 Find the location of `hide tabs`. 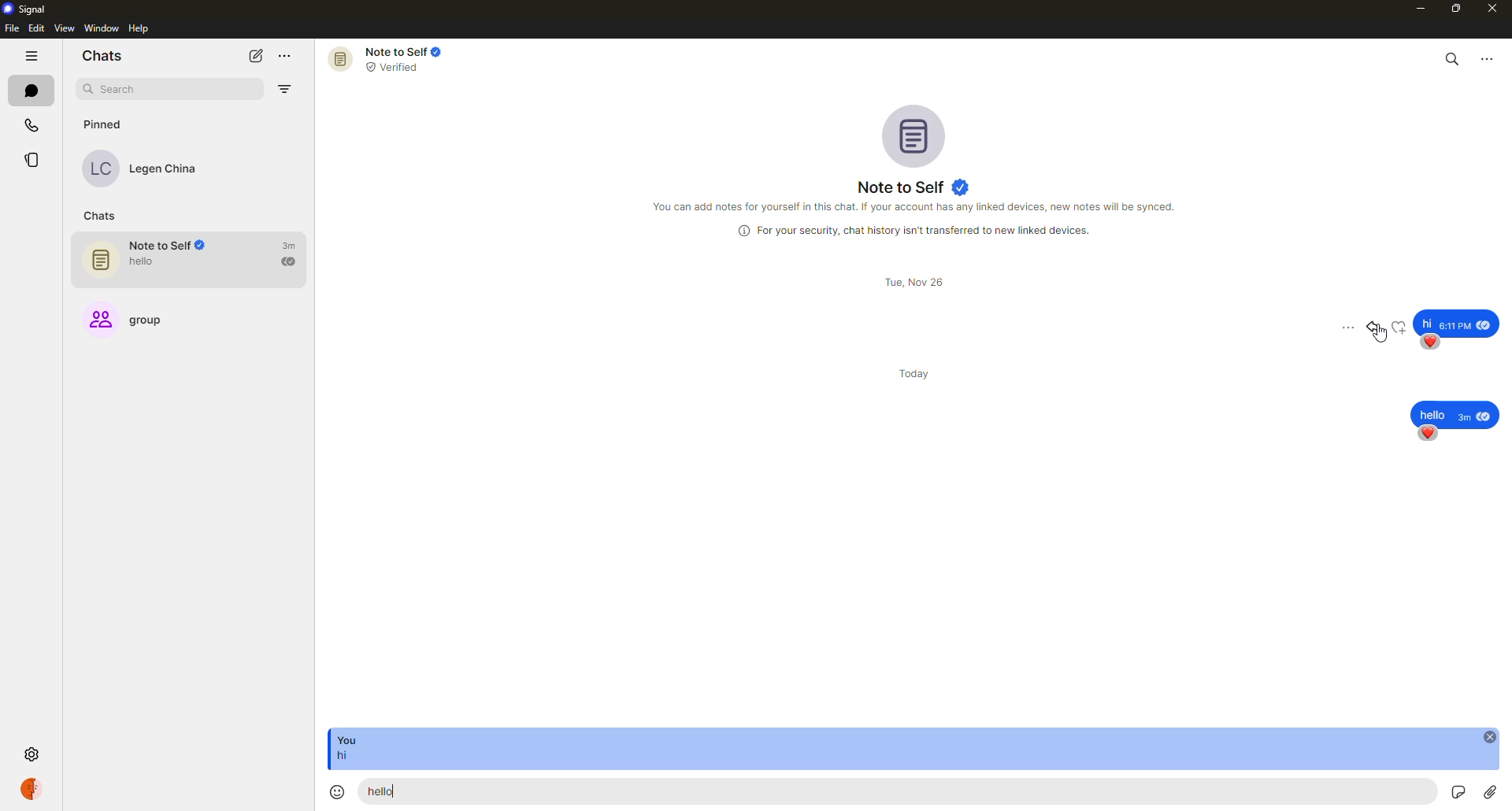

hide tabs is located at coordinates (33, 56).